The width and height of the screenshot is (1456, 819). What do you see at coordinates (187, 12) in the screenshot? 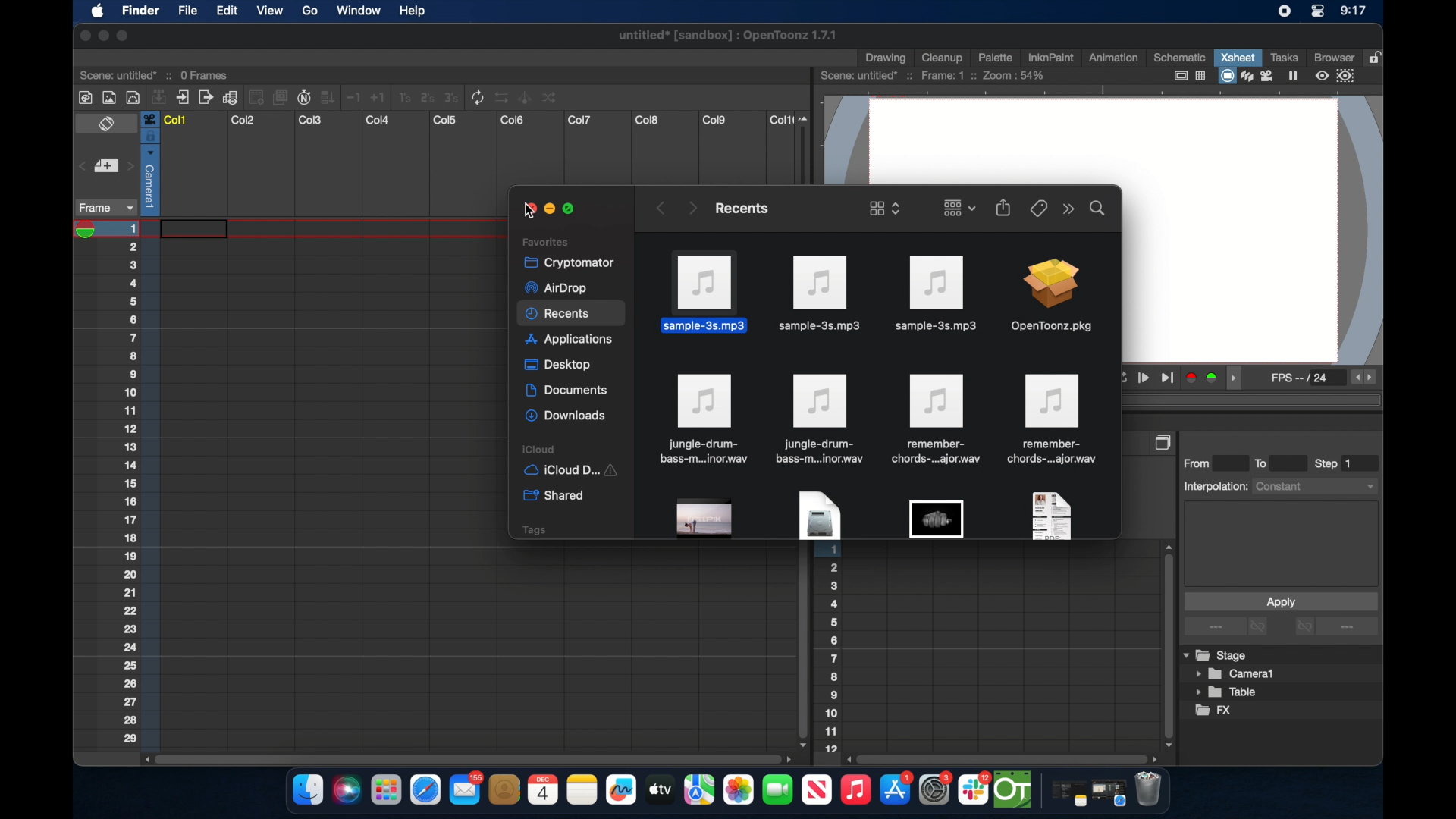
I see `file` at bounding box center [187, 12].